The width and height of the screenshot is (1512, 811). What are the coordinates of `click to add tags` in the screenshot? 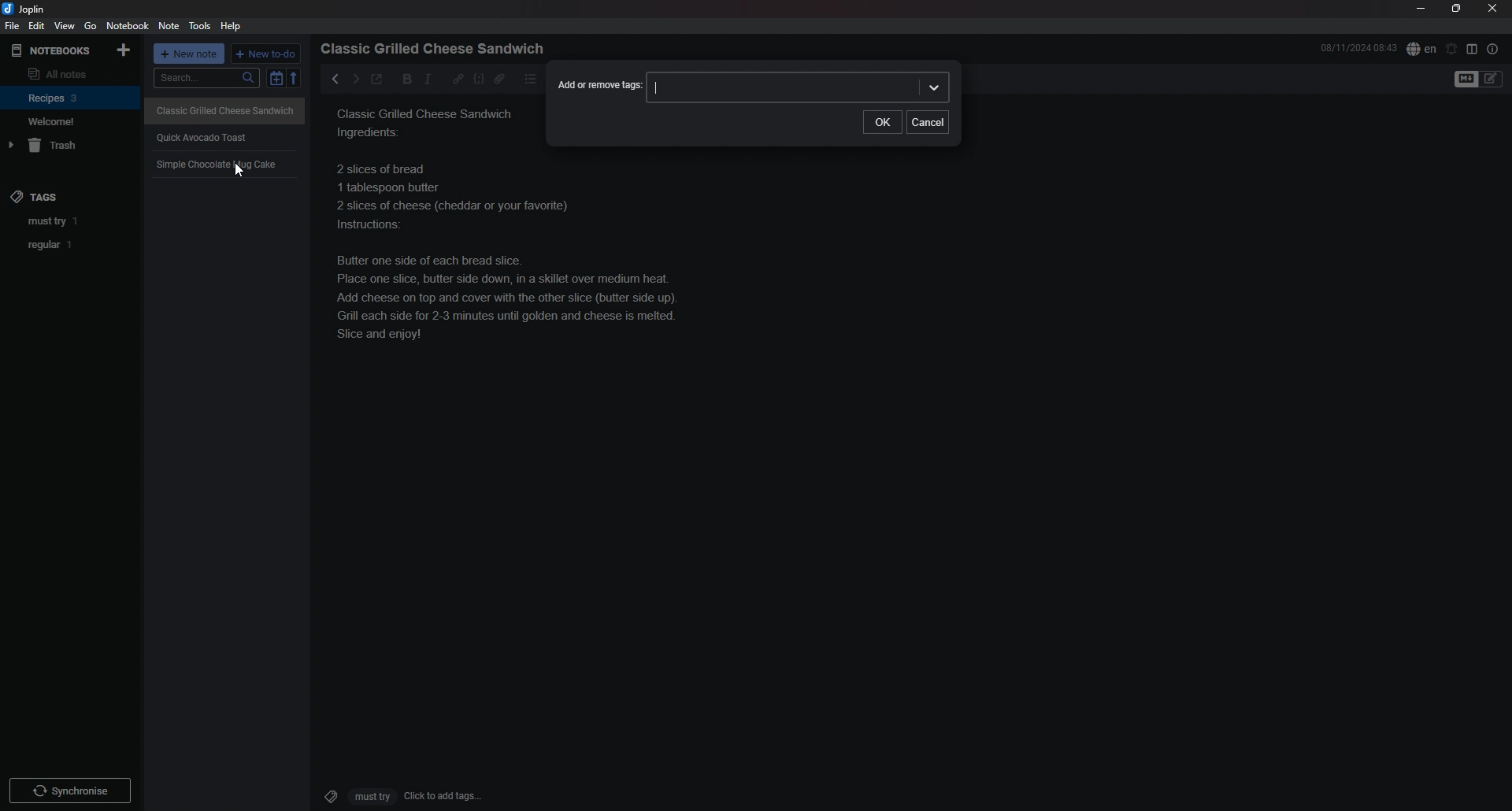 It's located at (396, 795).